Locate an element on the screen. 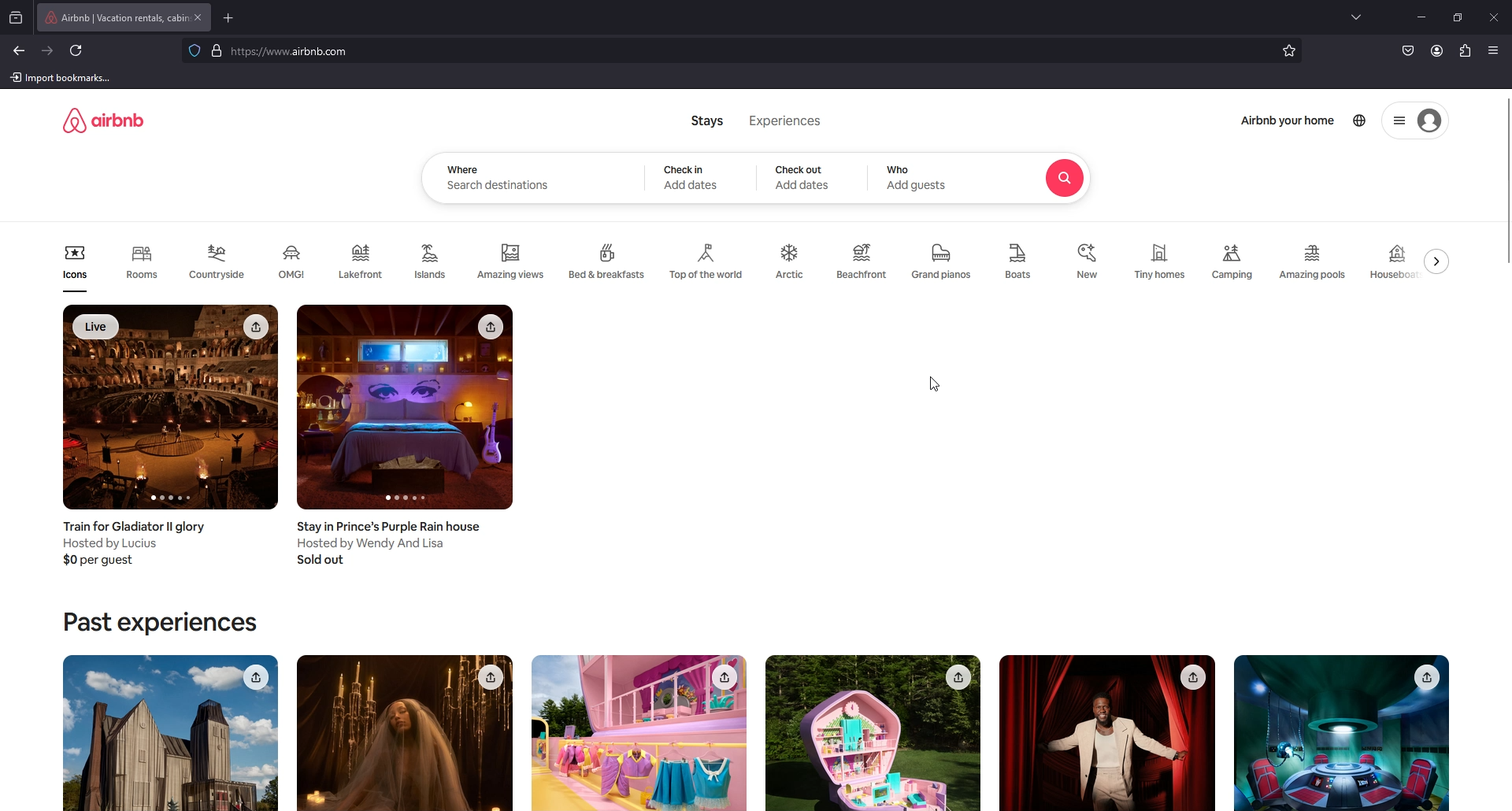  scroll bar is located at coordinates (1503, 180).